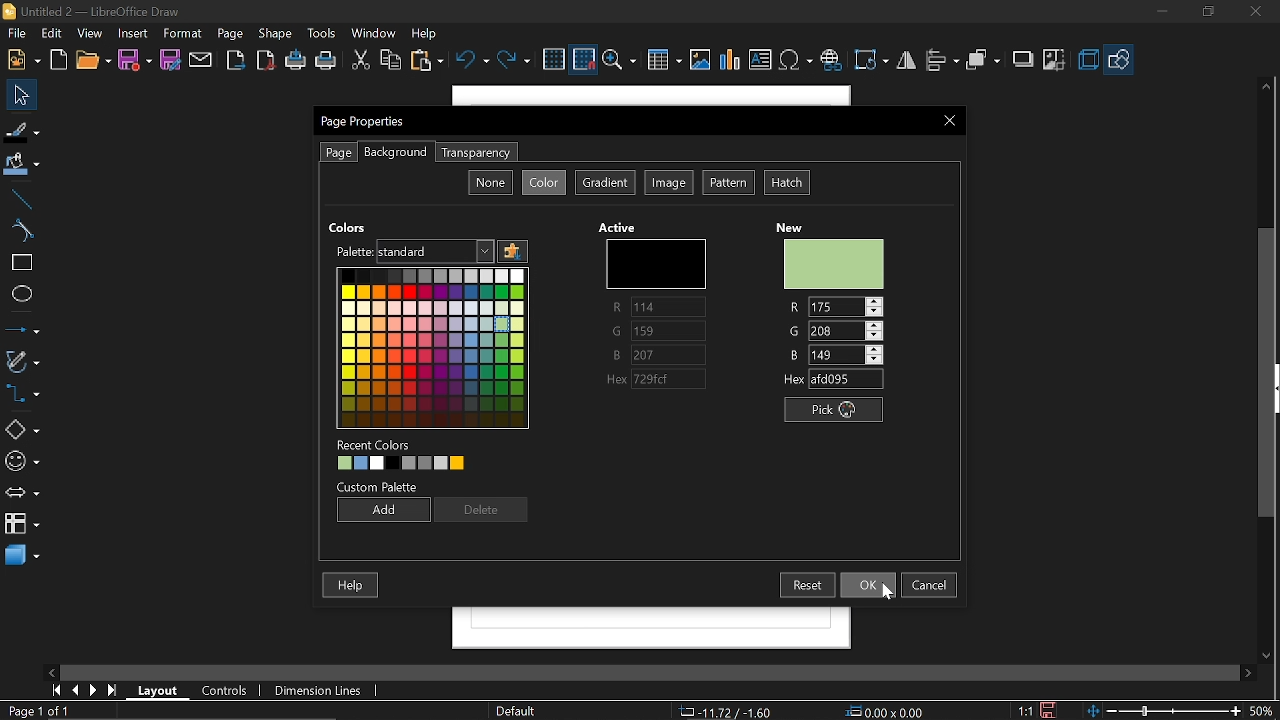 This screenshot has height=720, width=1280. Describe the element at coordinates (931, 584) in the screenshot. I see `Cancel` at that location.